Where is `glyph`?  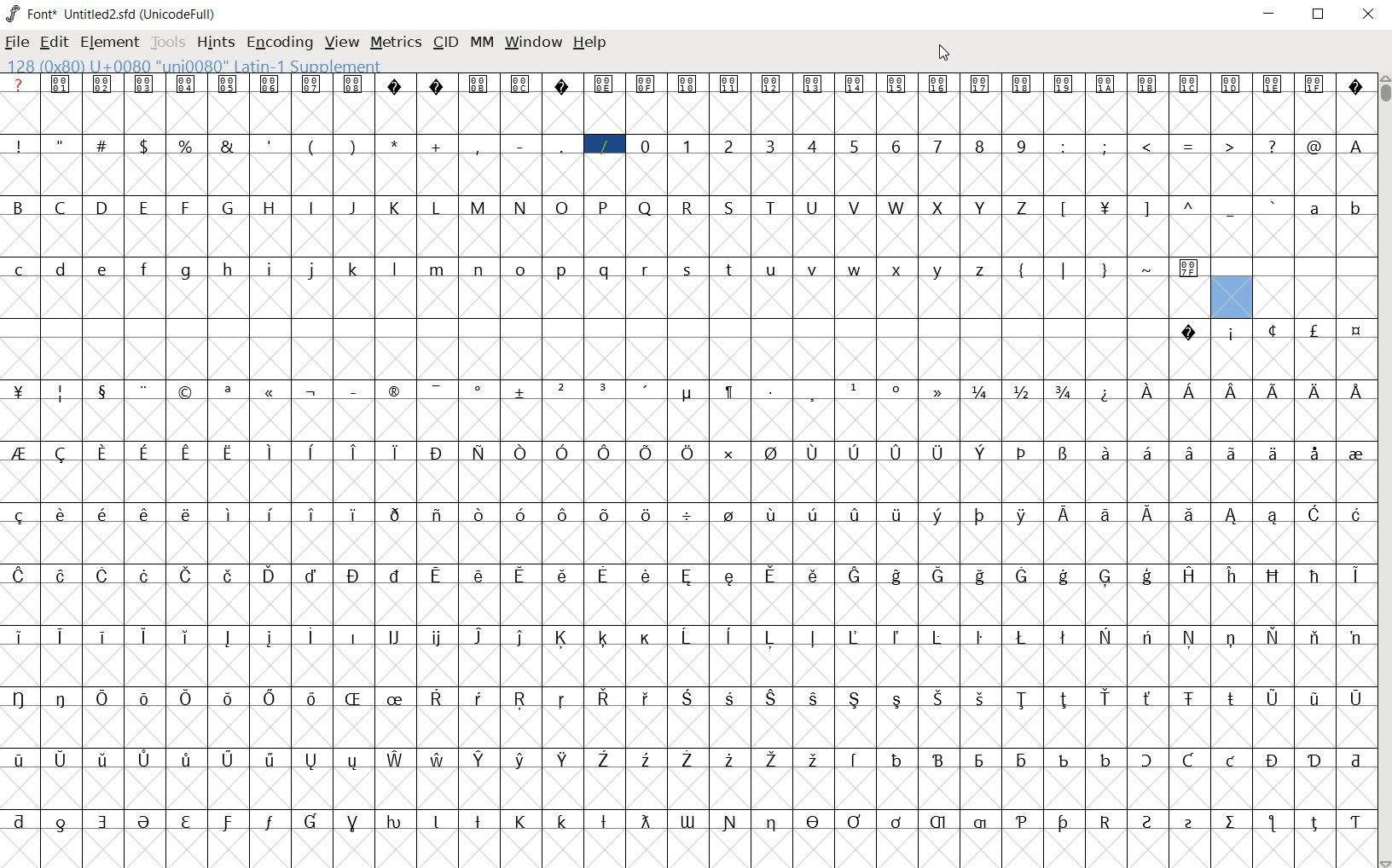
glyph is located at coordinates (896, 822).